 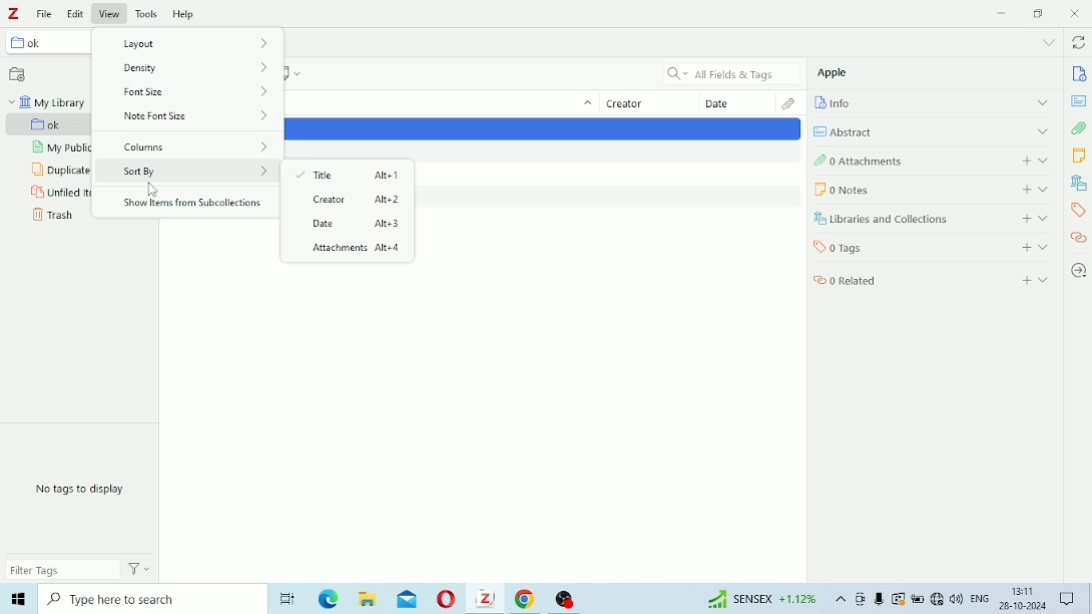 I want to click on Libraries and collections, so click(x=1079, y=183).